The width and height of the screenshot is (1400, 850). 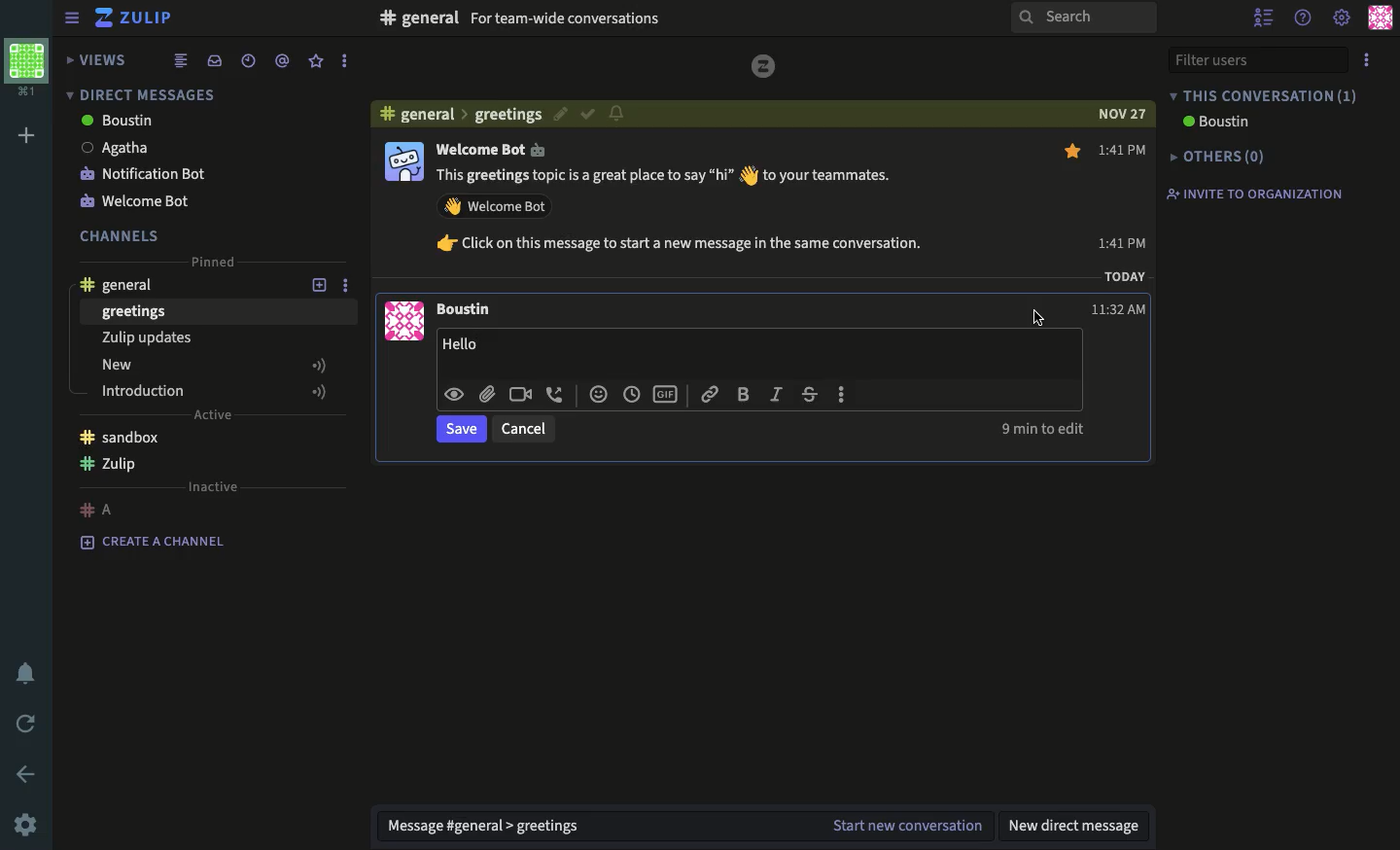 I want to click on general, so click(x=126, y=282).